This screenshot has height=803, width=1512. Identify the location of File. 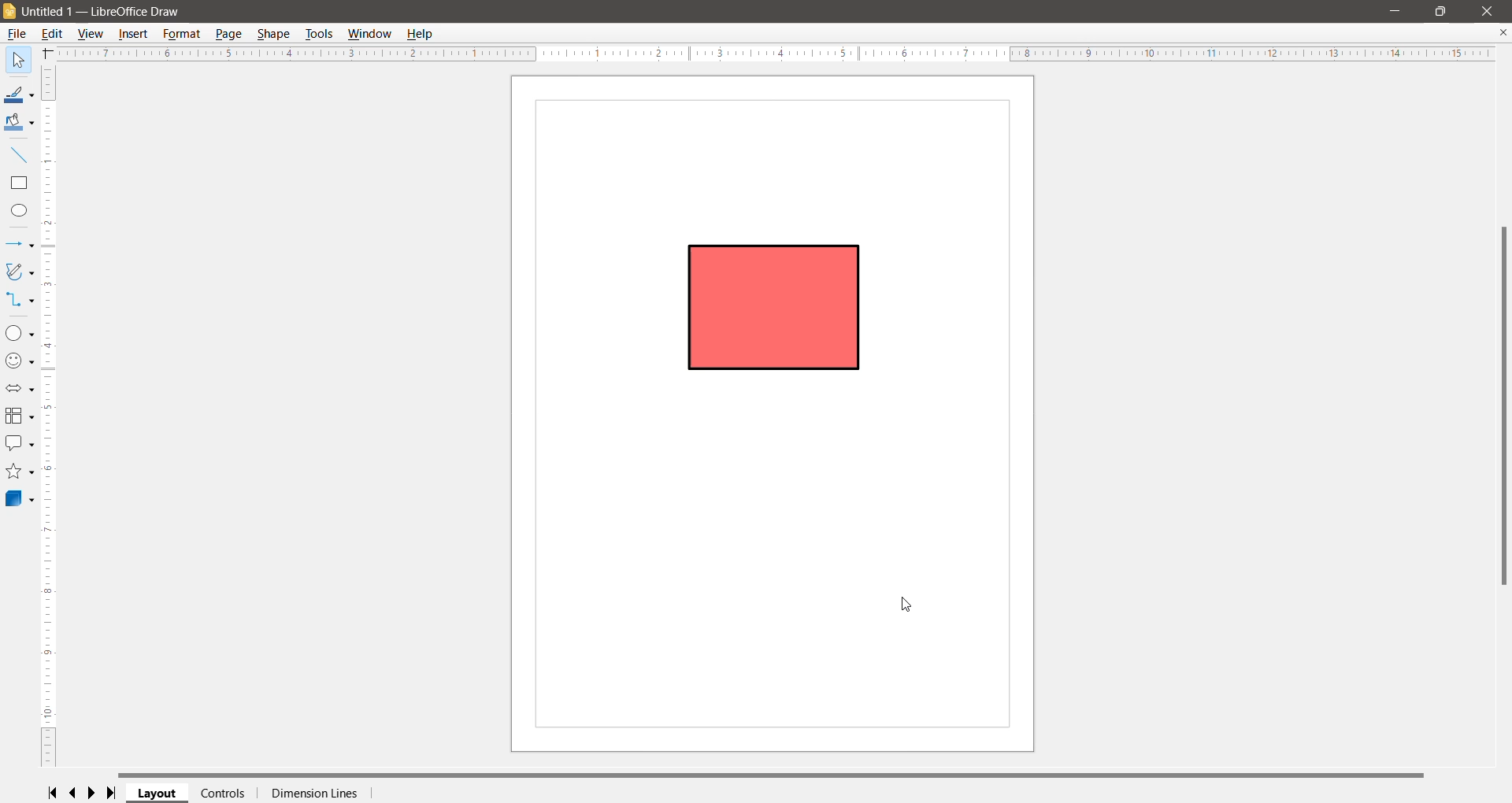
(16, 35).